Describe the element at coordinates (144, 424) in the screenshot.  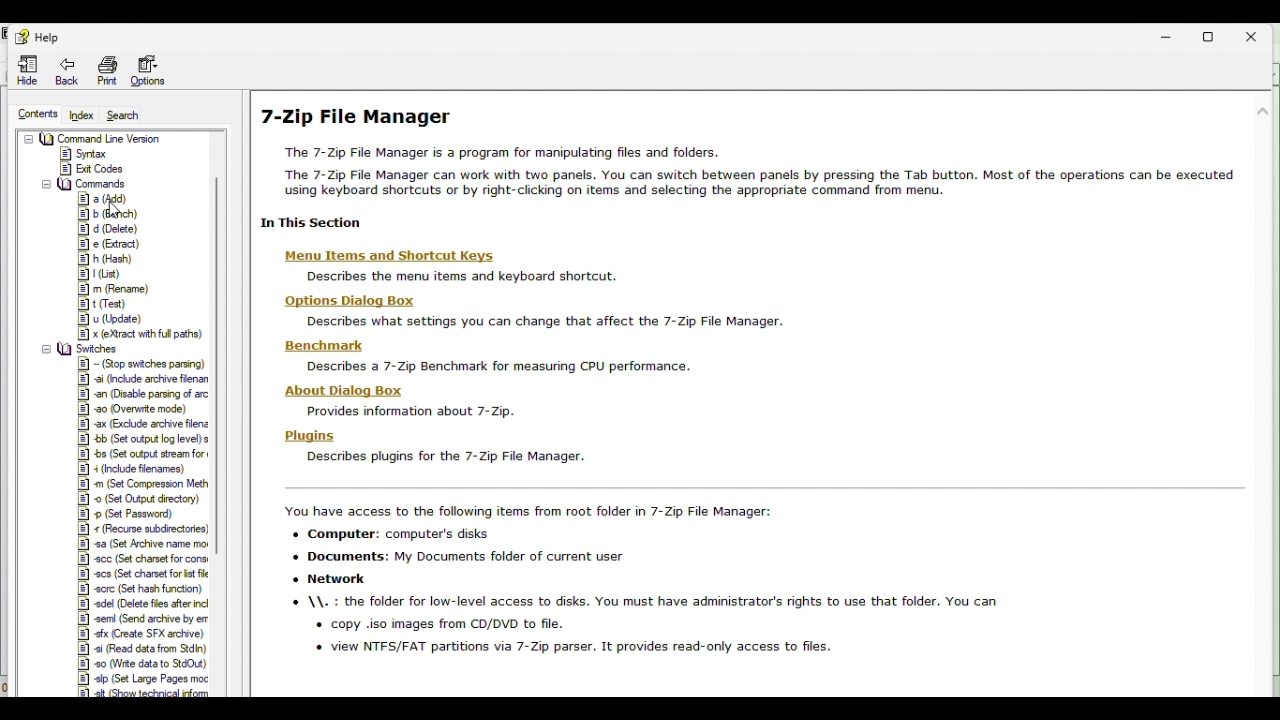
I see `-ax` at that location.